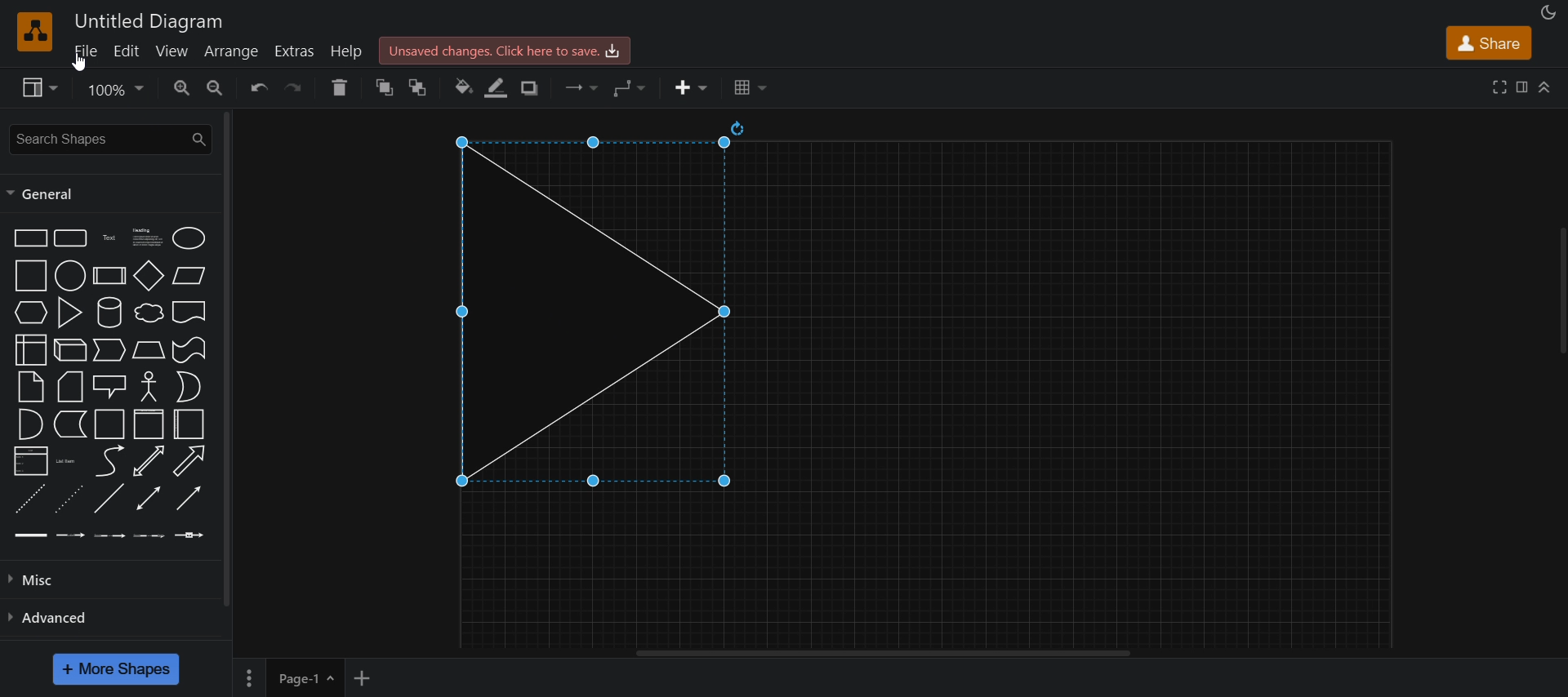 Image resolution: width=1568 pixels, height=697 pixels. What do you see at coordinates (462, 87) in the screenshot?
I see `fill color` at bounding box center [462, 87].